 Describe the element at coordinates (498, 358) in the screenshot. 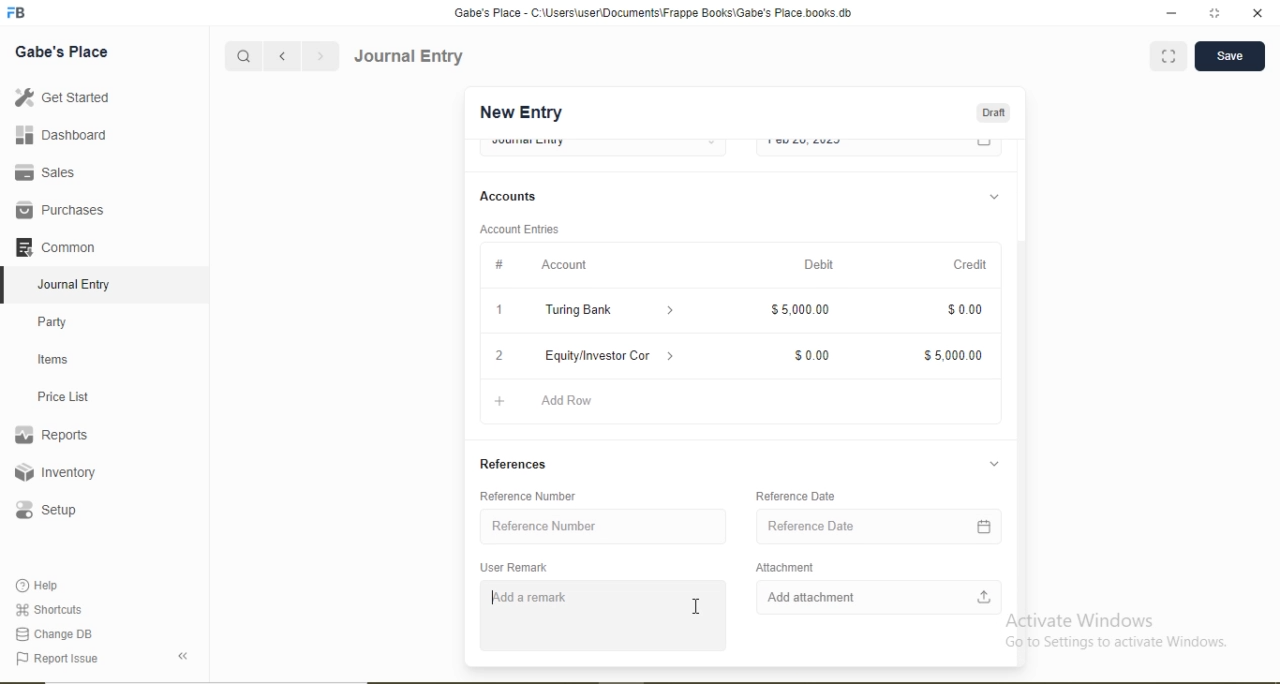

I see `2` at that location.